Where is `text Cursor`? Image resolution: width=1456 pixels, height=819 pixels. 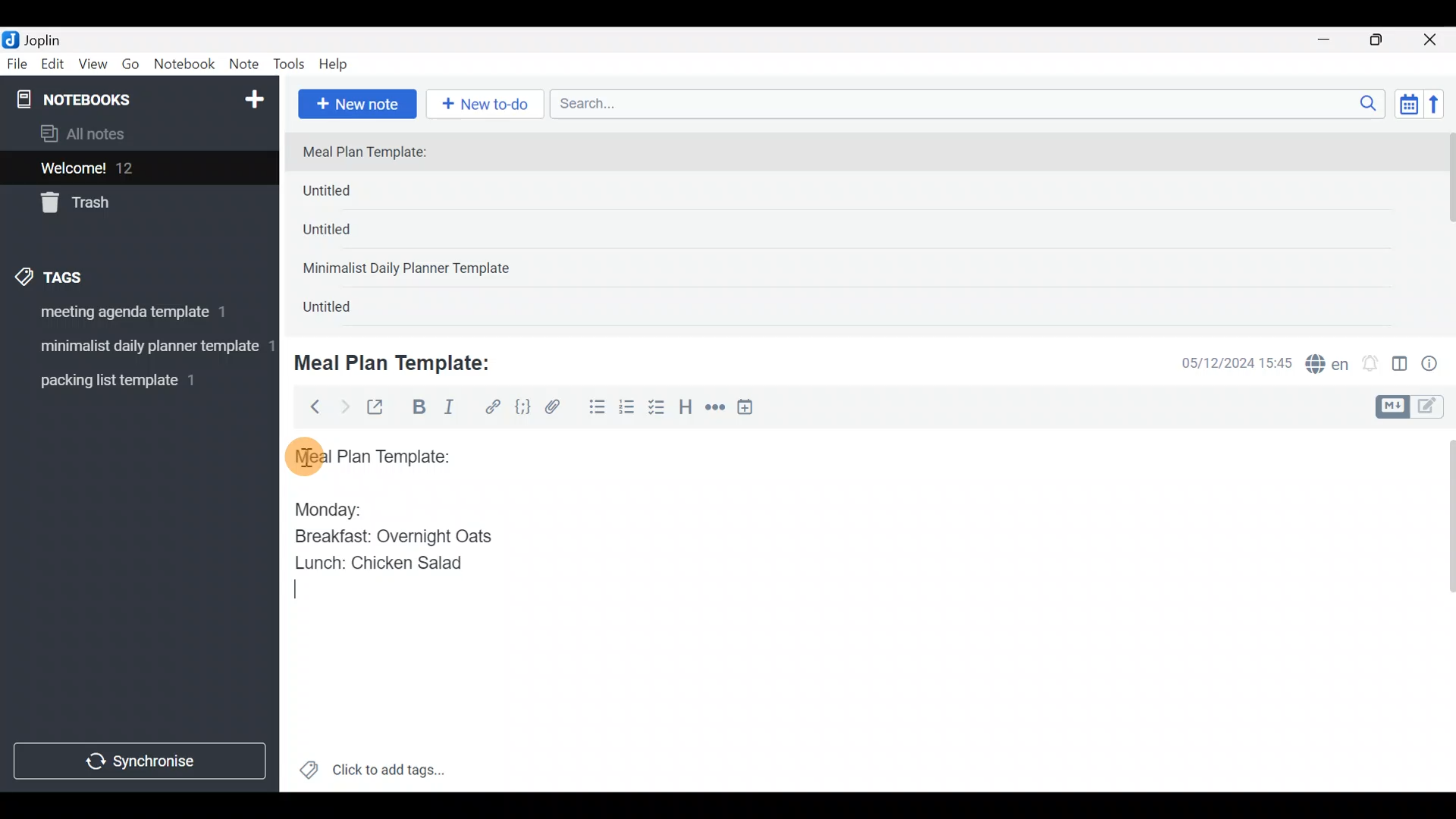 text Cursor is located at coordinates (301, 590).